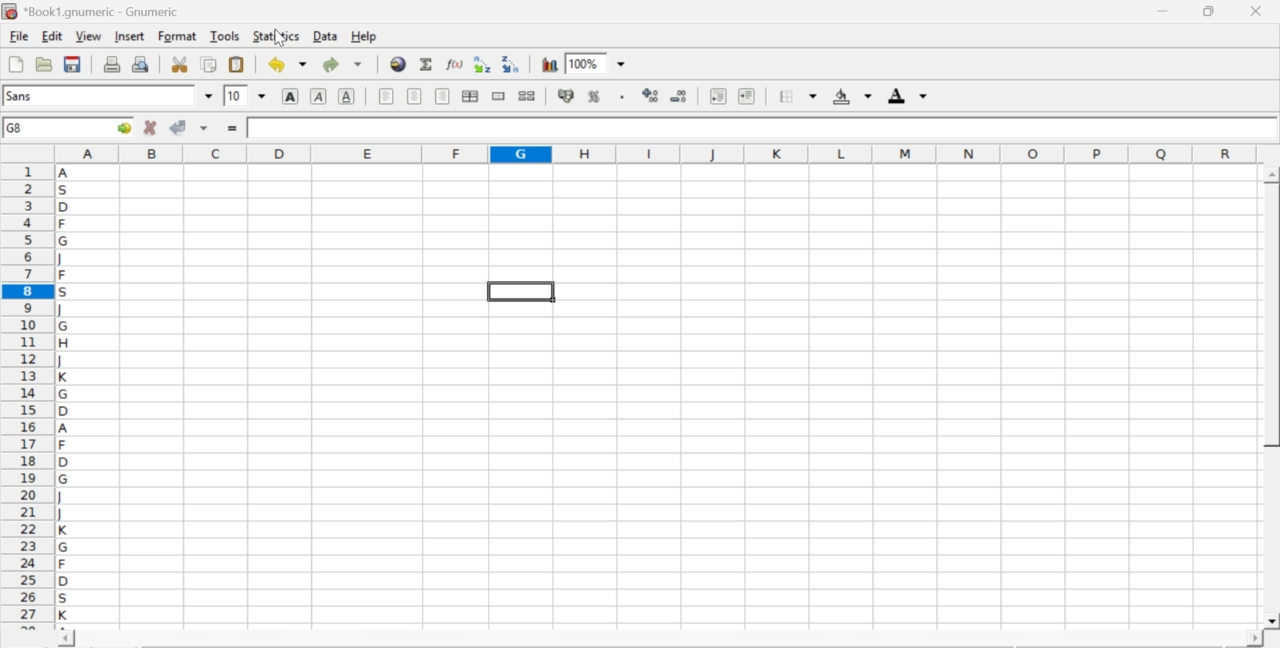 The width and height of the screenshot is (1280, 648). What do you see at coordinates (226, 35) in the screenshot?
I see `tools` at bounding box center [226, 35].